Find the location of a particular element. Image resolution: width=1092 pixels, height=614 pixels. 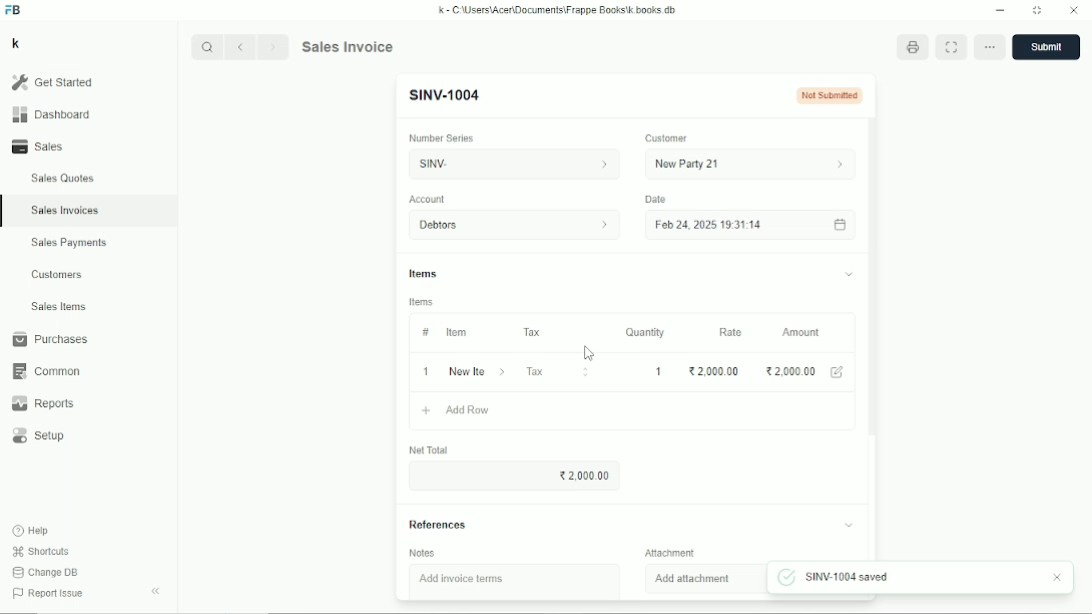

Notes is located at coordinates (422, 553).